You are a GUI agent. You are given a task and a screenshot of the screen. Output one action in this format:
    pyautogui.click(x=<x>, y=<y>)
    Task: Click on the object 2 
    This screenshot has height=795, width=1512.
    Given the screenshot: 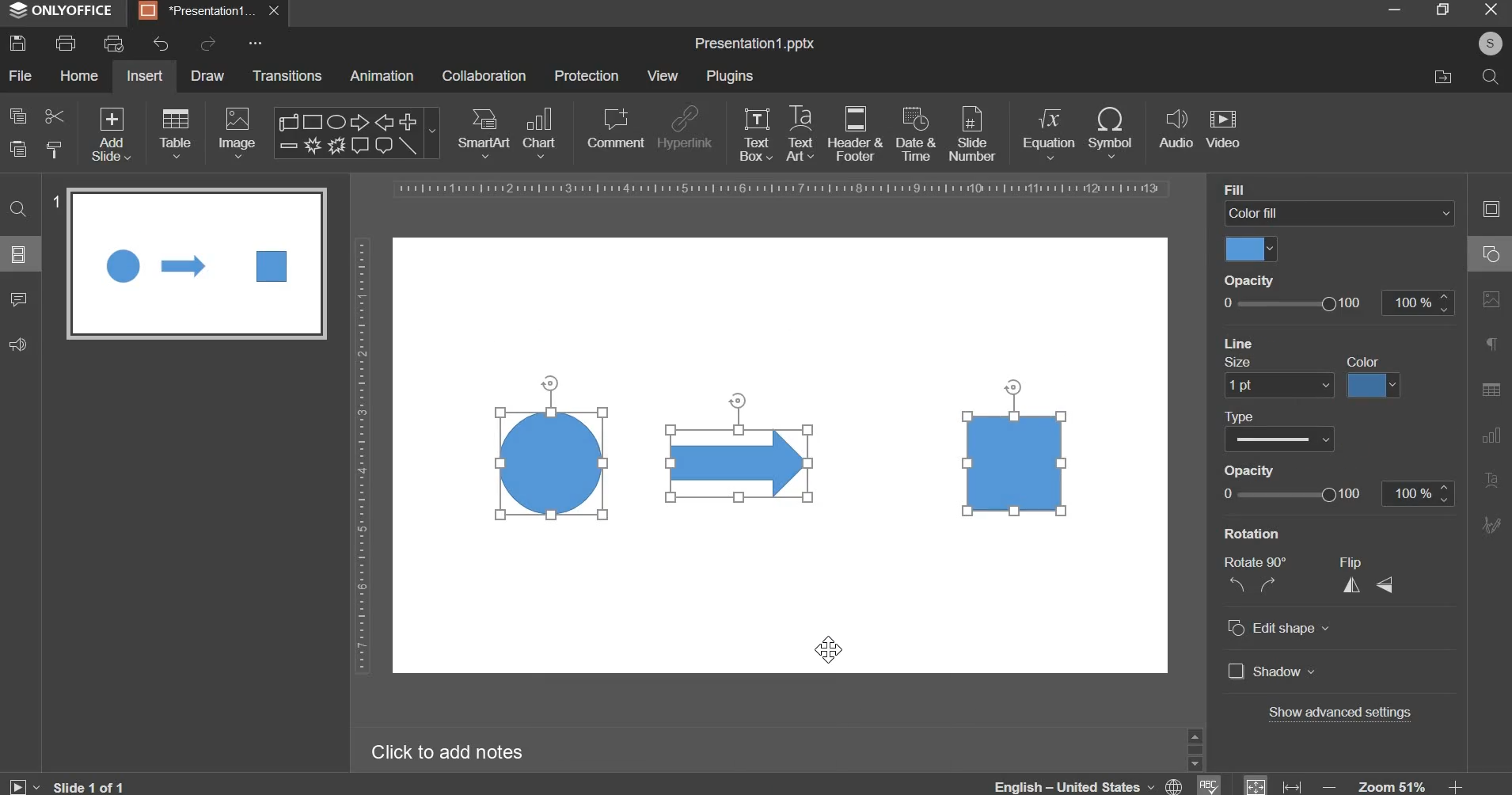 What is the action you would take?
    pyautogui.click(x=741, y=463)
    